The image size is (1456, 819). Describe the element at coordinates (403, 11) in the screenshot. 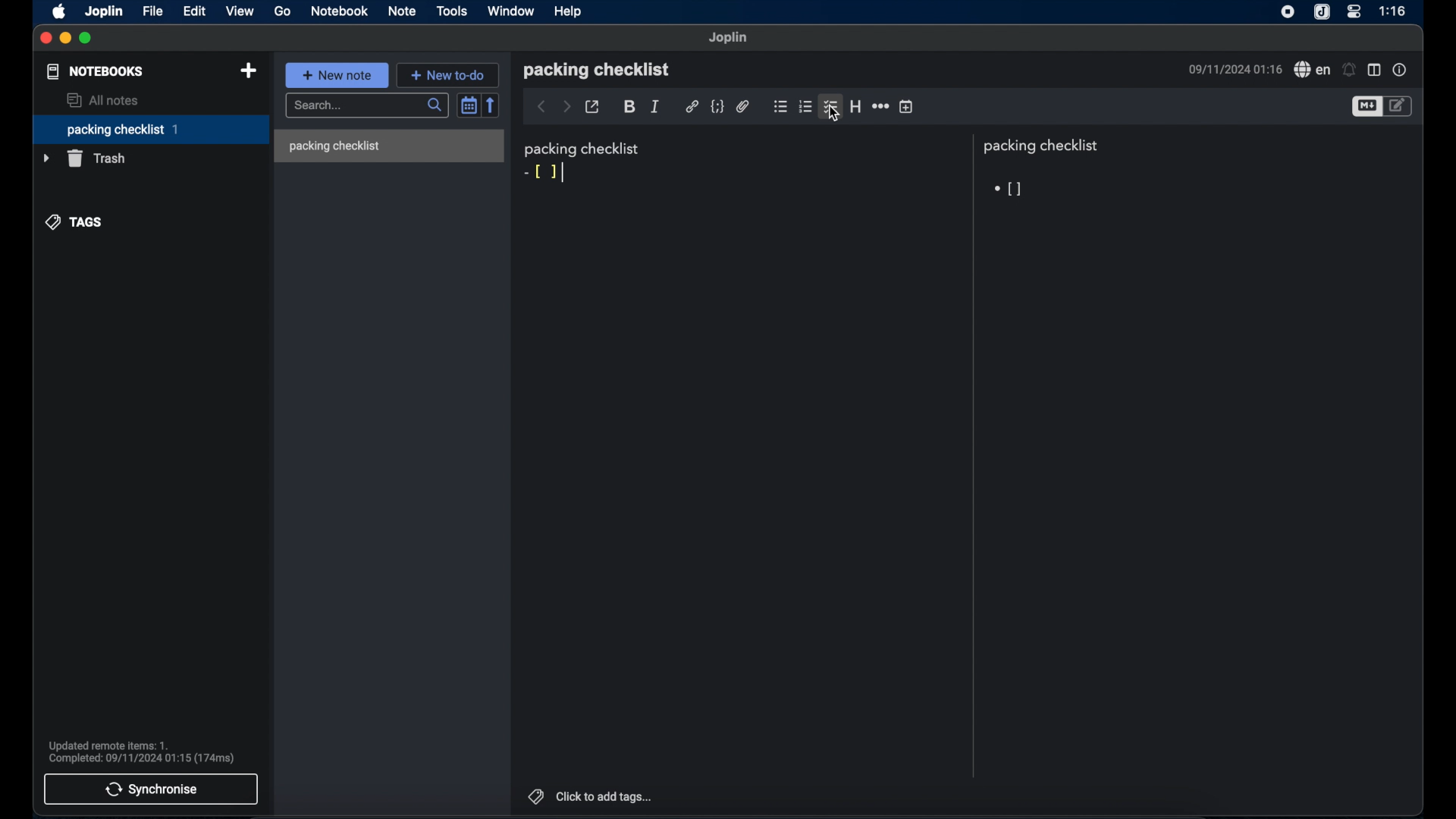

I see `note` at that location.